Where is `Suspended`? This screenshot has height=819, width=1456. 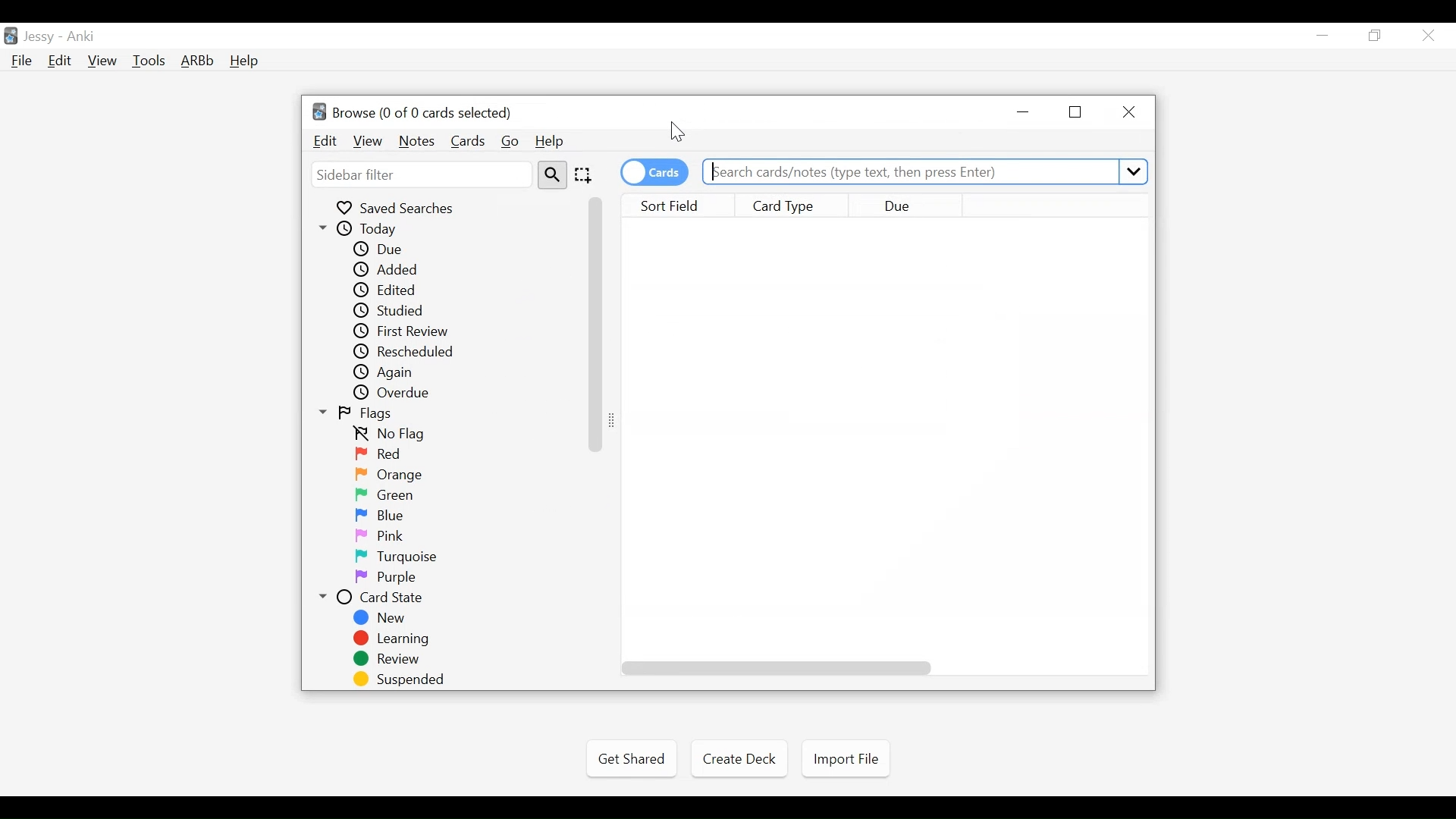
Suspended is located at coordinates (402, 679).